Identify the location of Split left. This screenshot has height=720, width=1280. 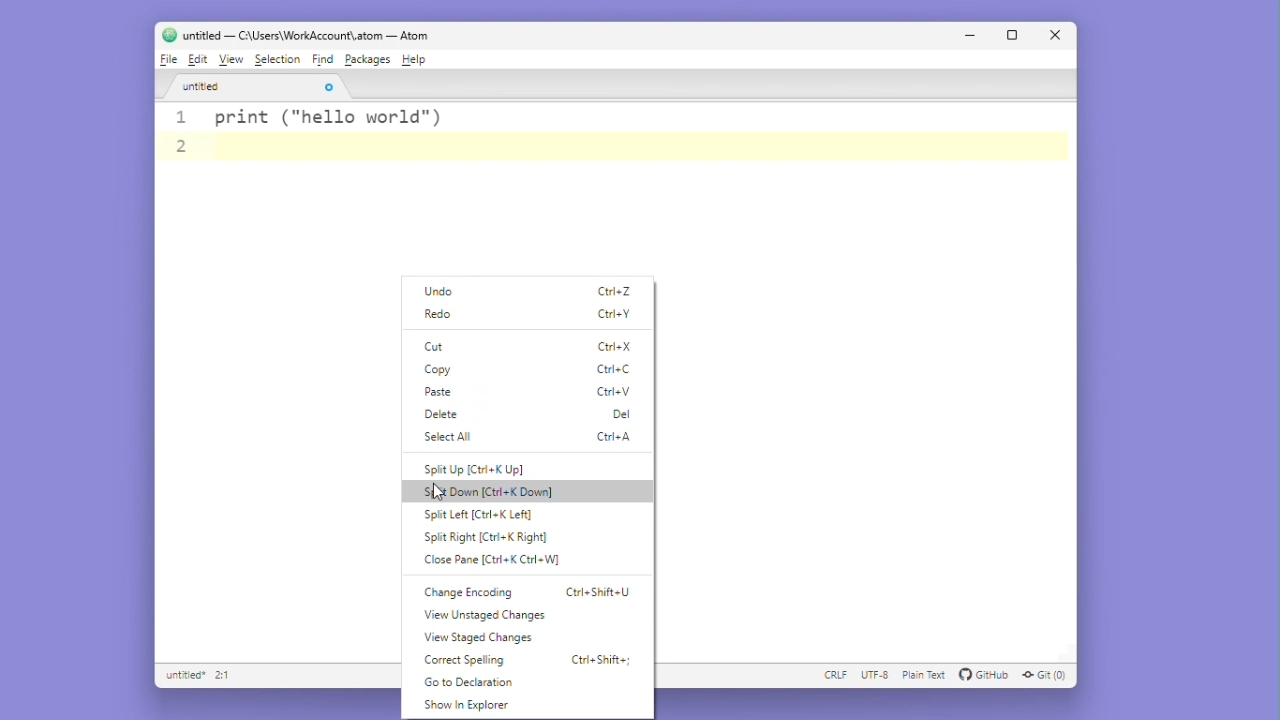
(480, 515).